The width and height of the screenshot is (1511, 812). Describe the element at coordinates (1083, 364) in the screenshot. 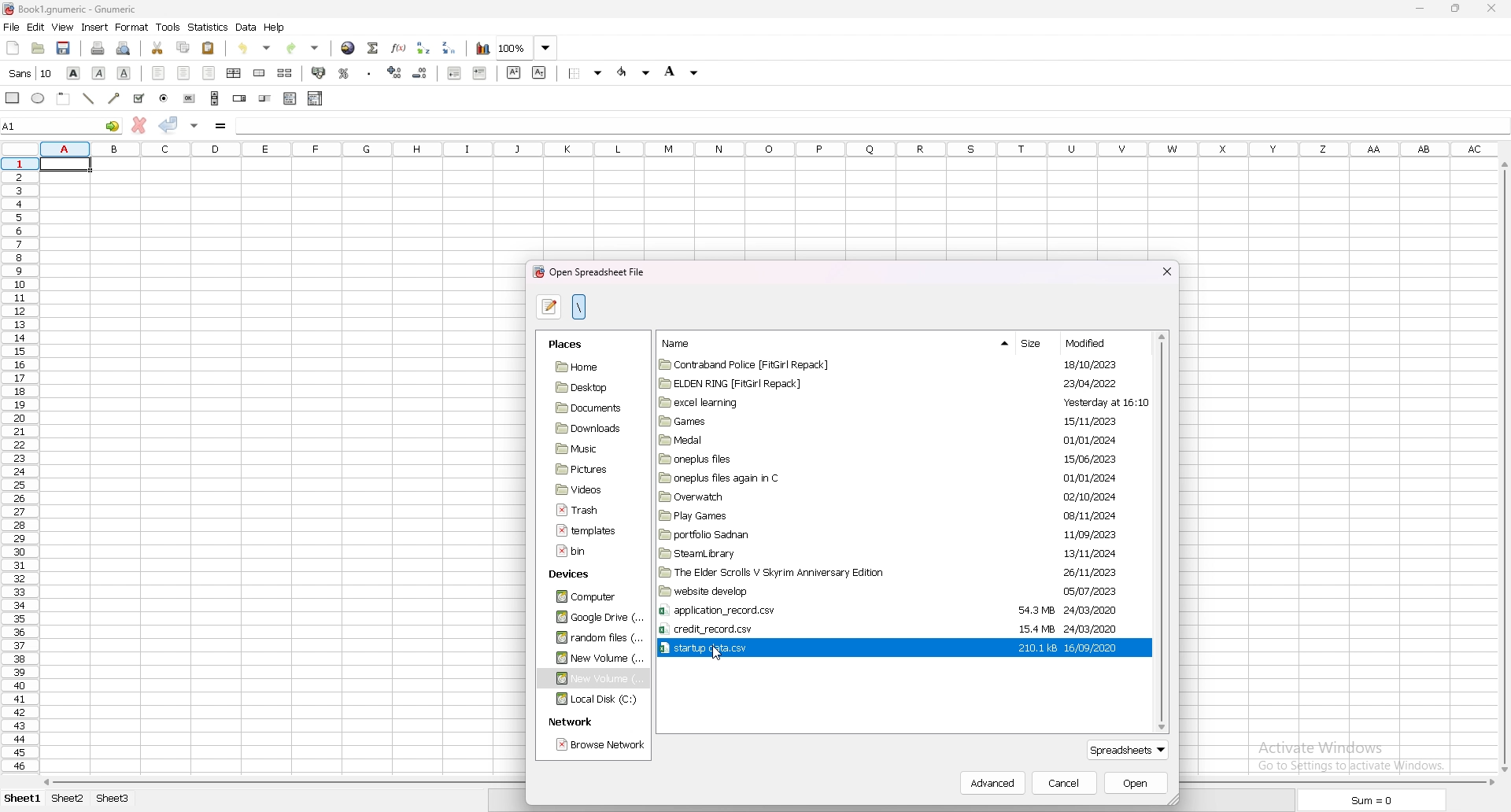

I see `18/10/2023` at that location.